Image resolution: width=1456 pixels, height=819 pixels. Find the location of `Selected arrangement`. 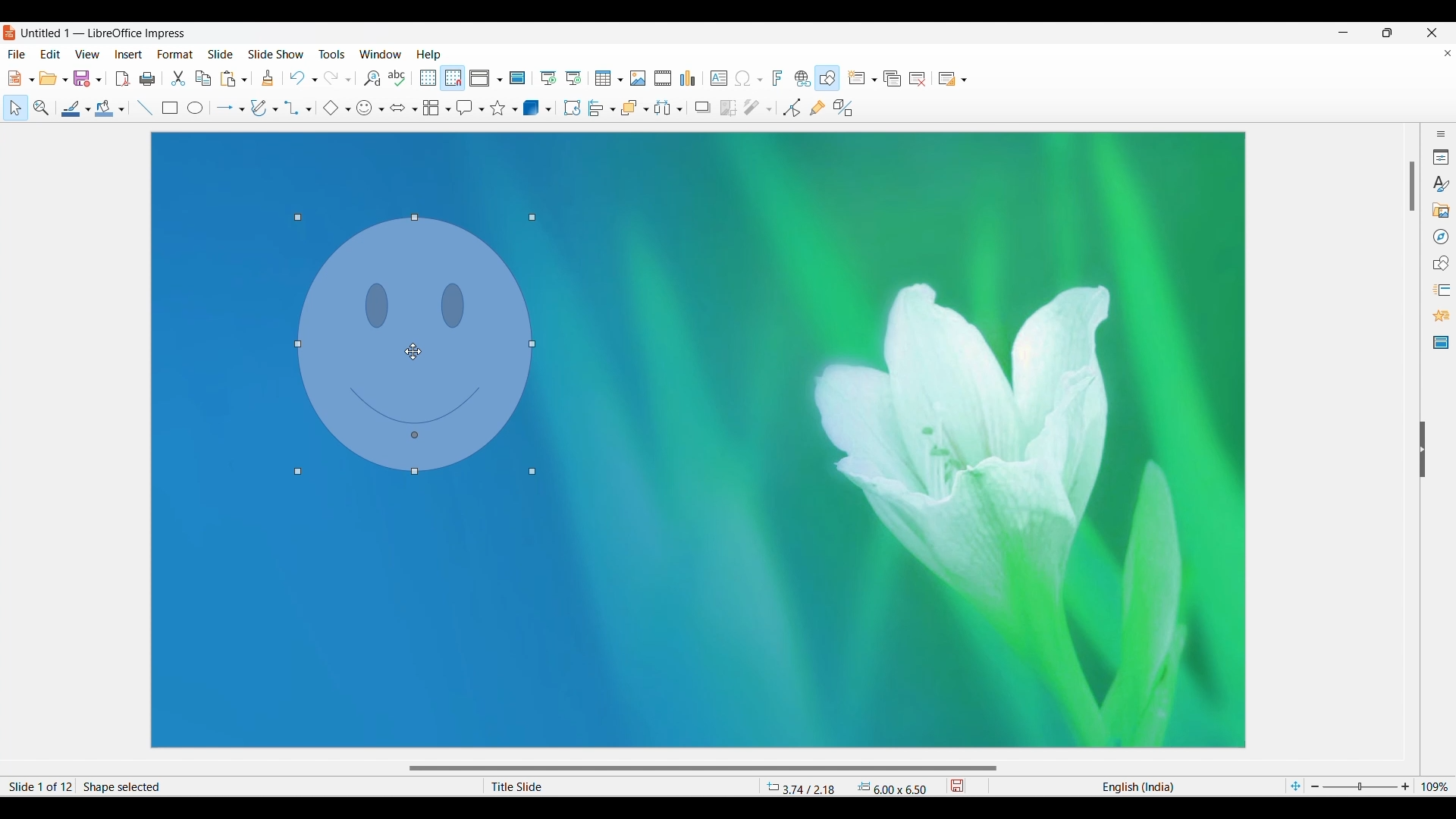

Selected arrangement is located at coordinates (631, 108).